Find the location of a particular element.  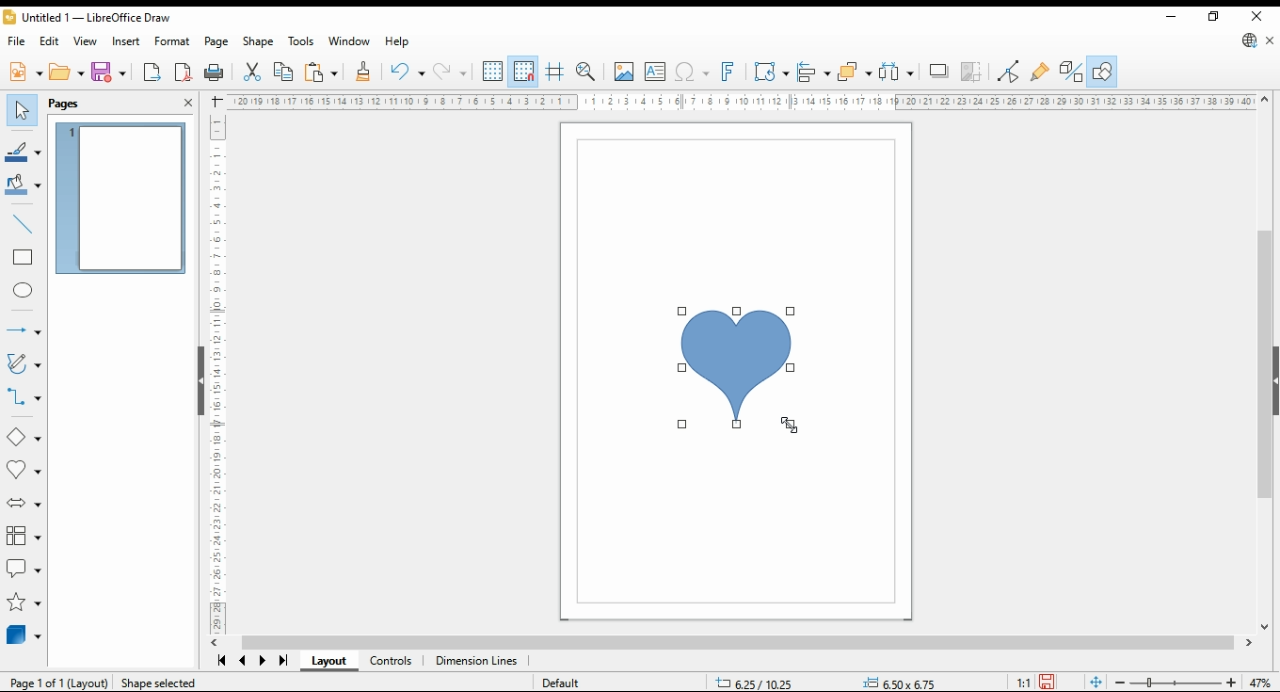

arrange is located at coordinates (855, 72).